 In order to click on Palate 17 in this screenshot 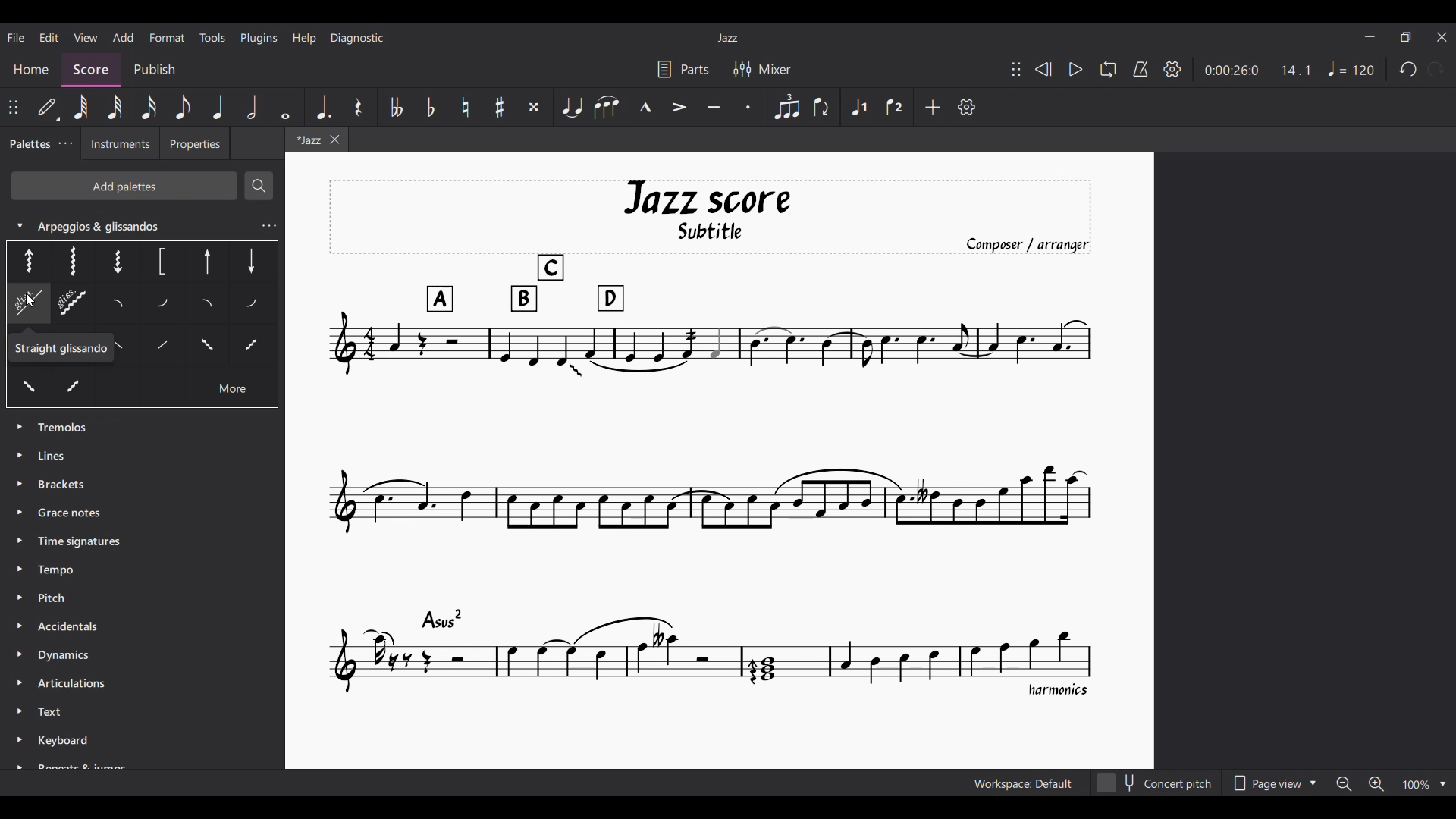, I will do `click(252, 350)`.